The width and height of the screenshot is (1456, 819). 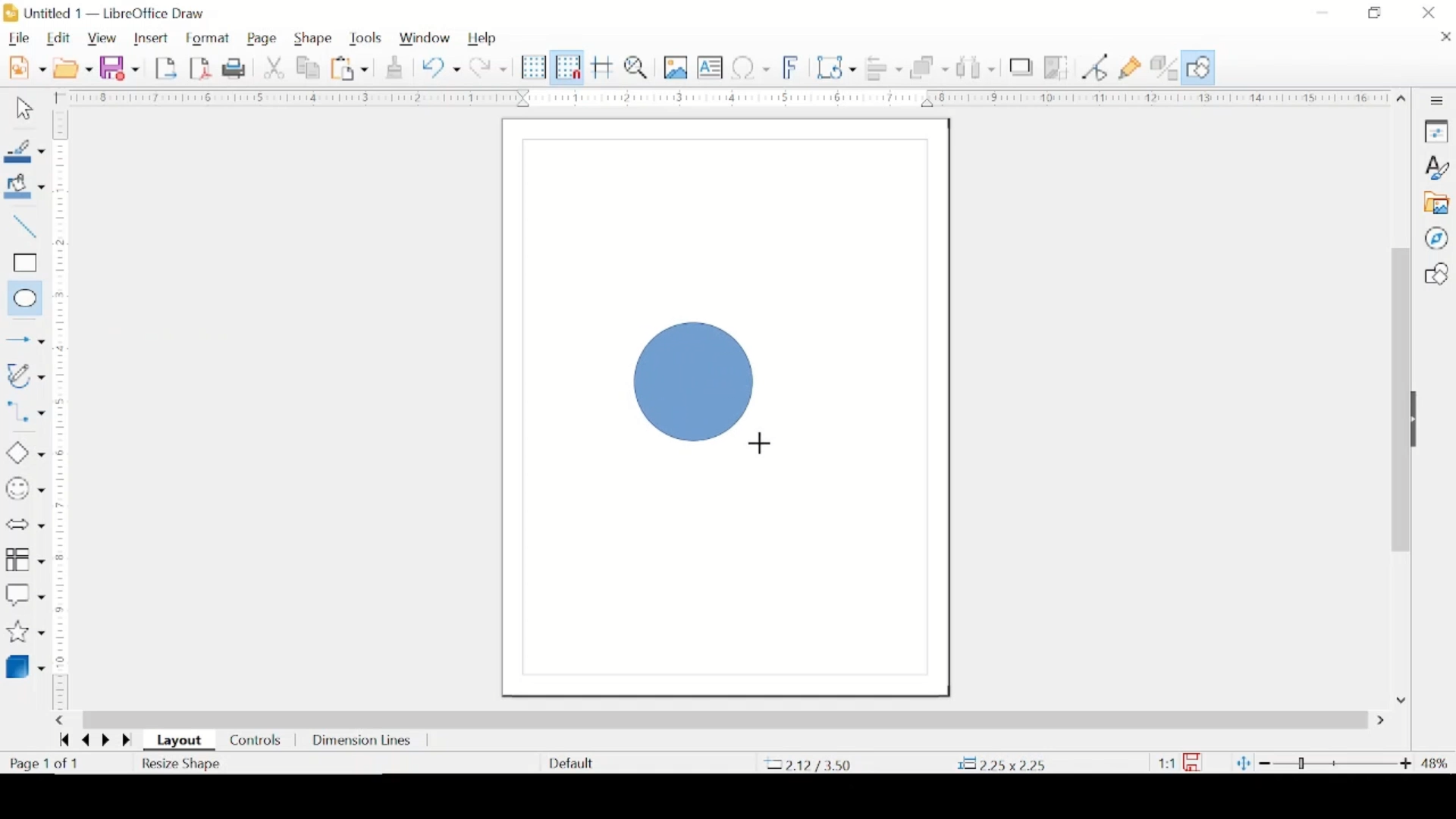 I want to click on crop image , so click(x=1056, y=67).